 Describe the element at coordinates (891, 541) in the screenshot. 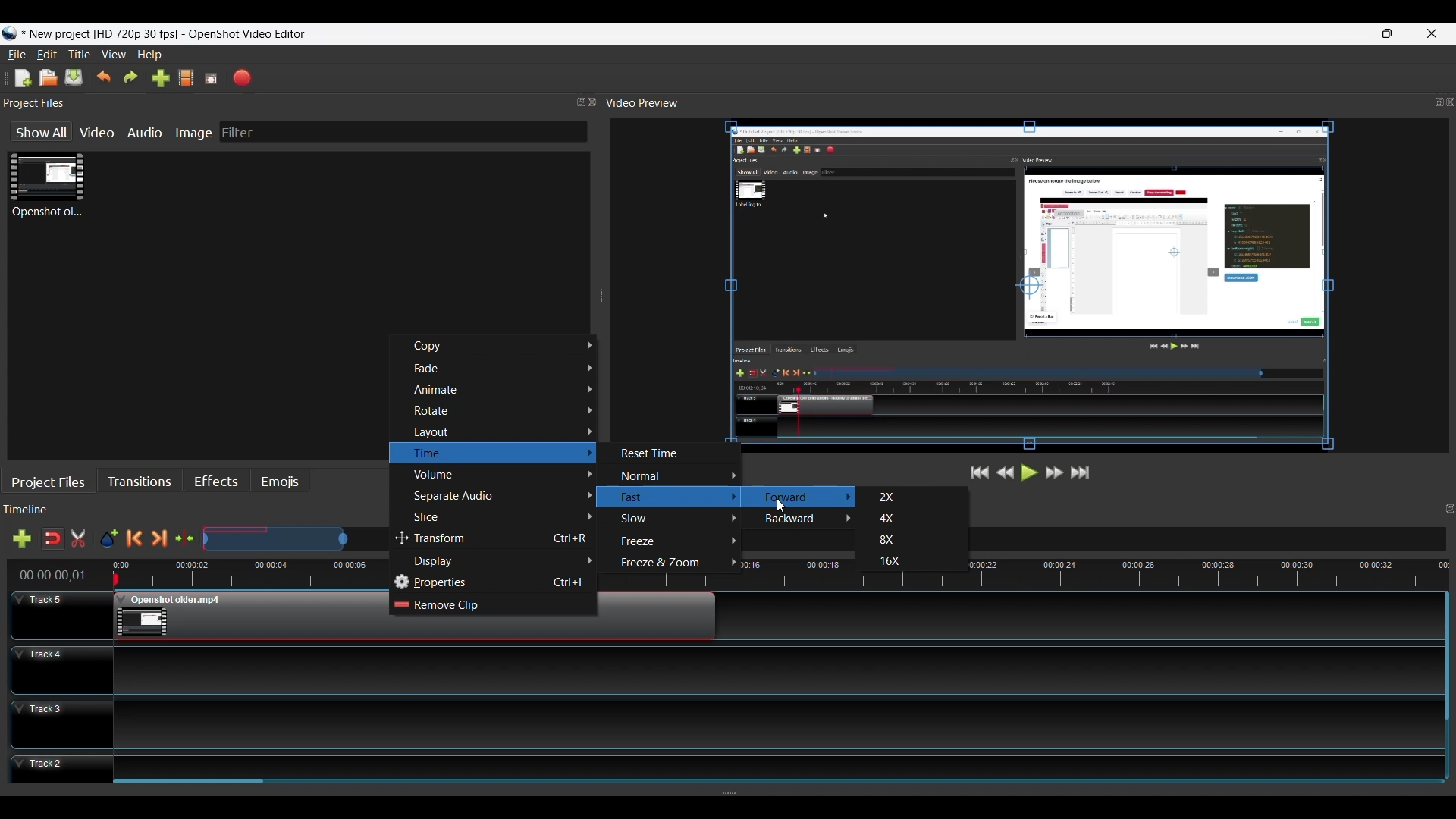

I see `8X` at that location.